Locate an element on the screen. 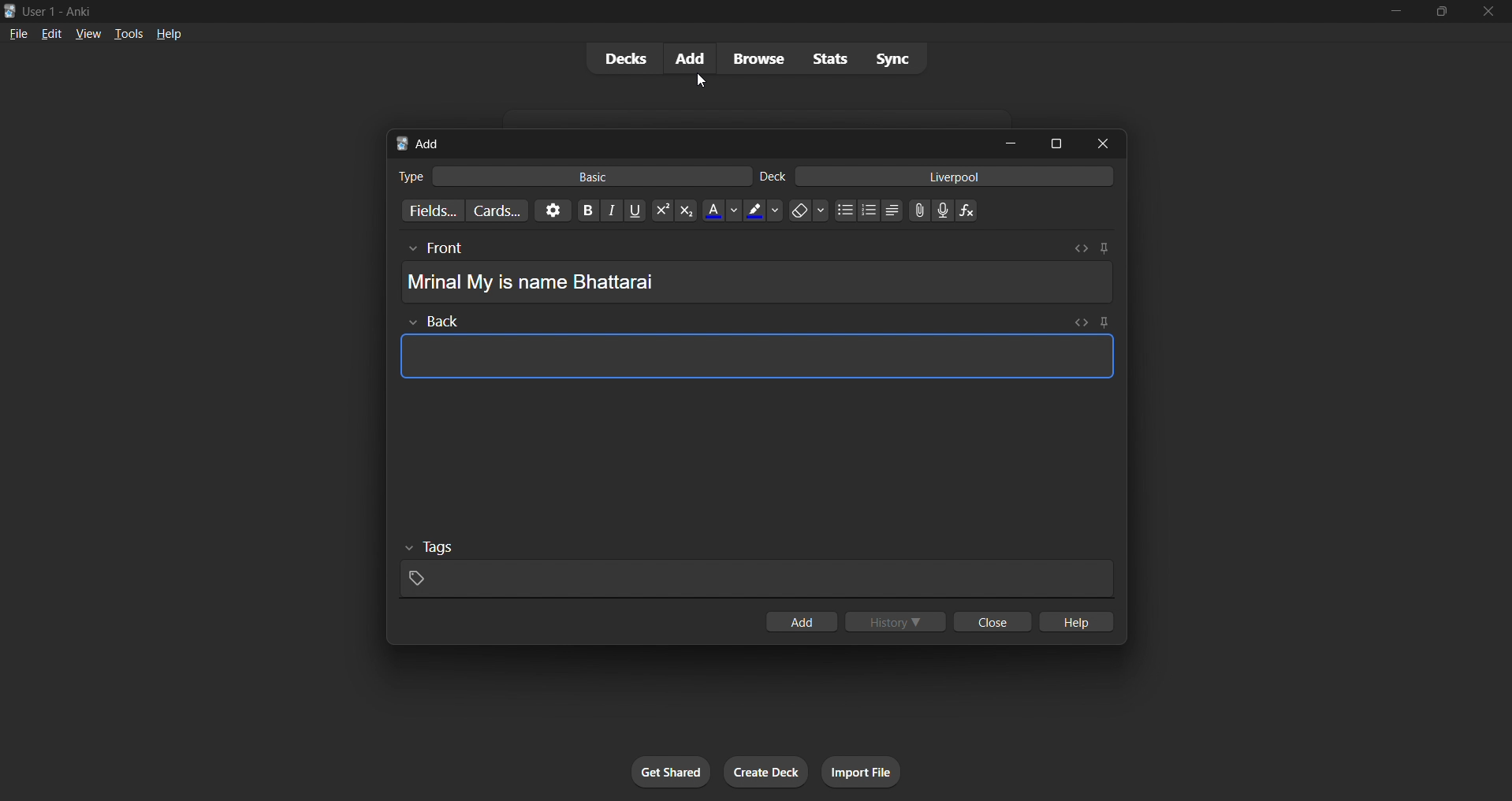 This screenshot has width=1512, height=801. text highlight is located at coordinates (762, 211).